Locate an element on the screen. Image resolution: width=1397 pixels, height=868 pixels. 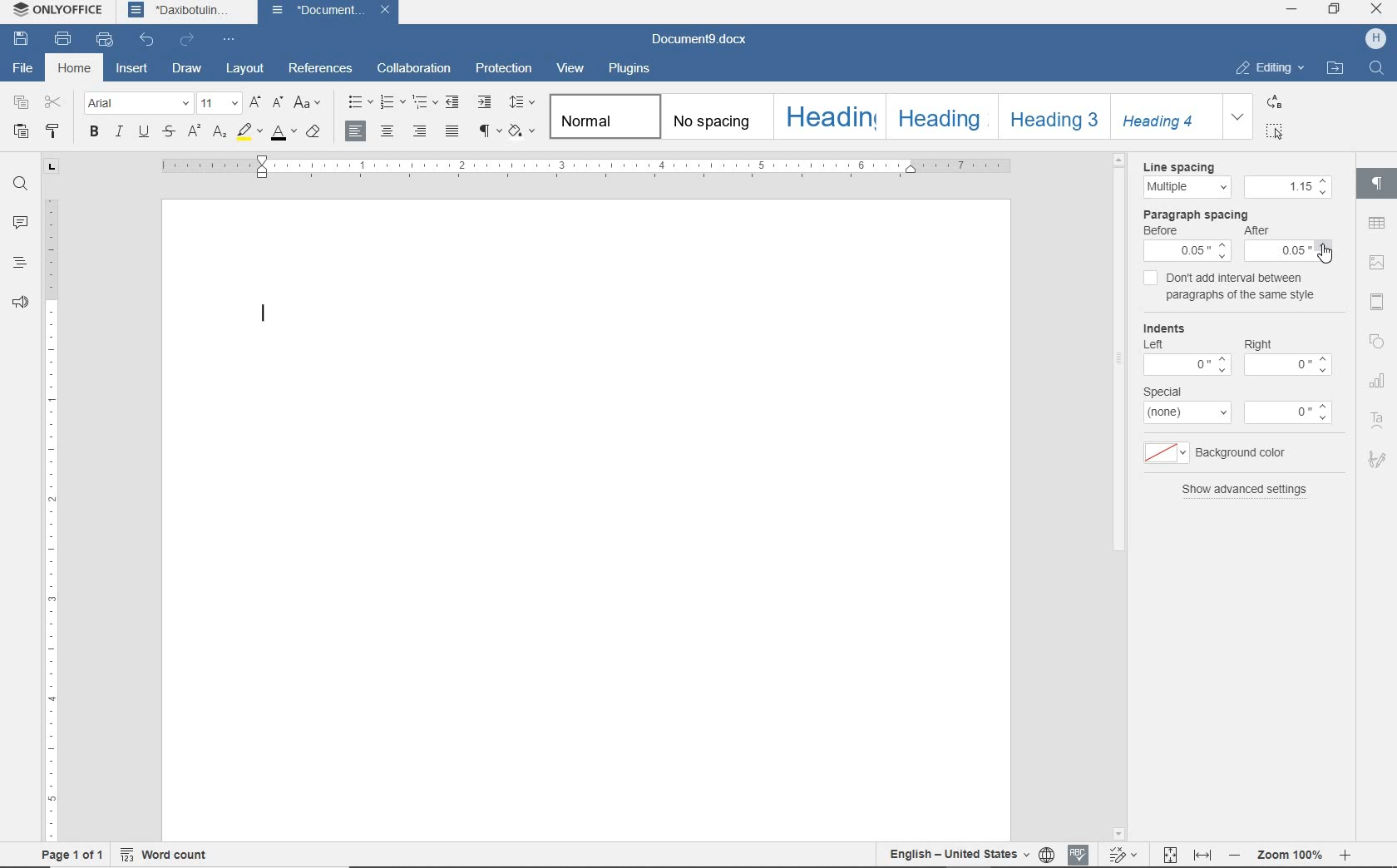
strikethrough is located at coordinates (170, 131).